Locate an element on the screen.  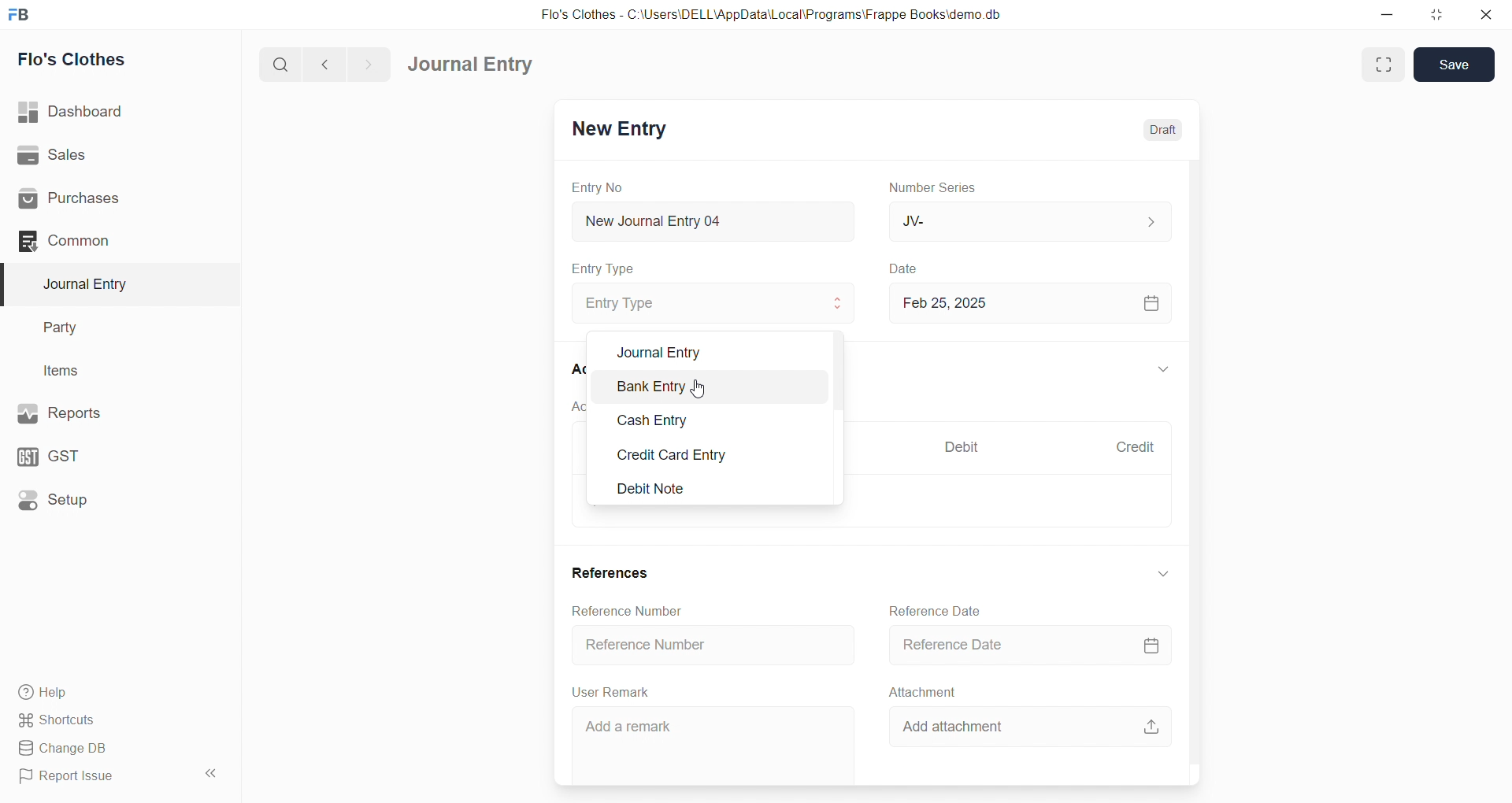
Journal Entry is located at coordinates (476, 65).